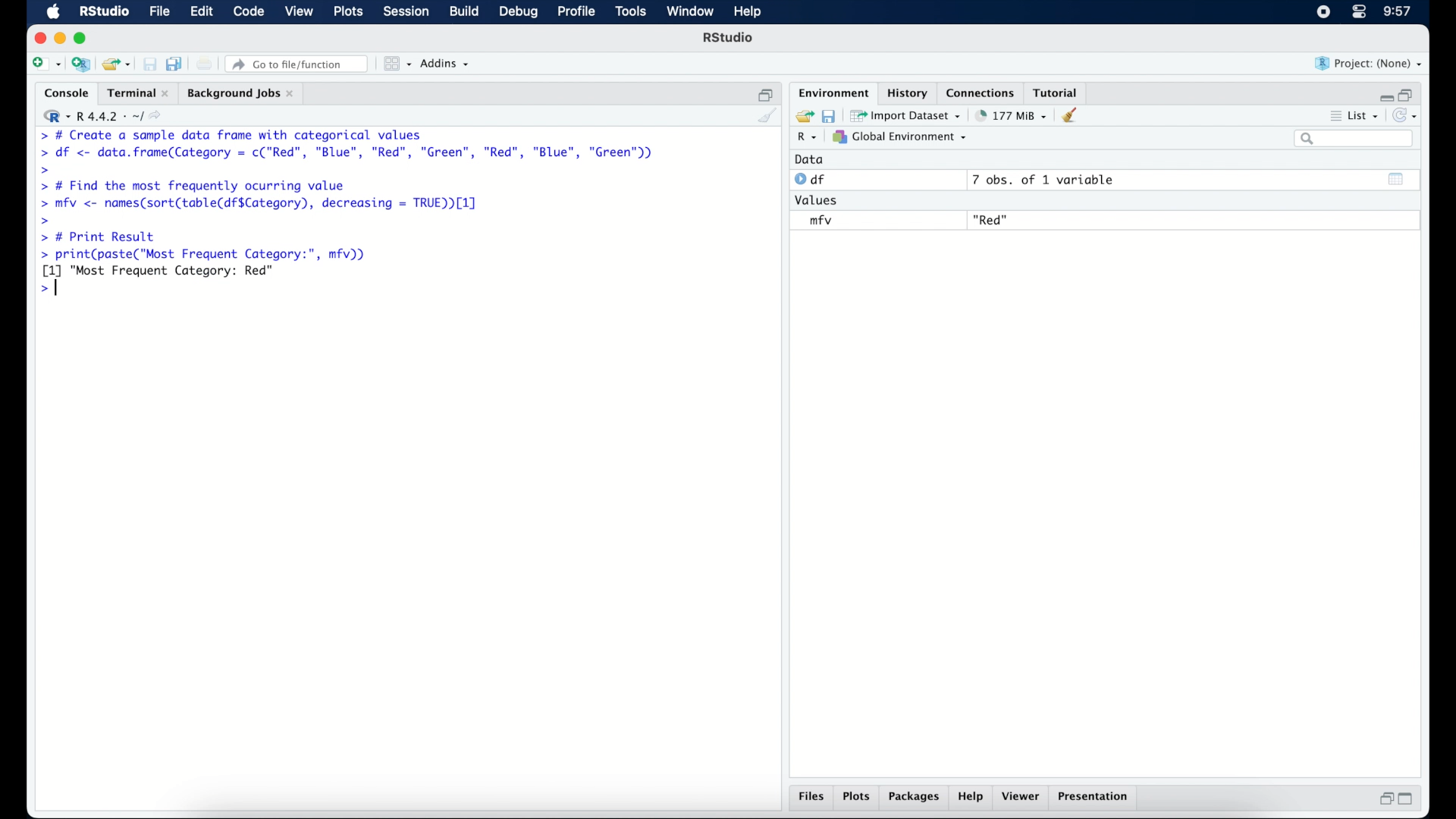 The height and width of the screenshot is (819, 1456). Describe the element at coordinates (147, 61) in the screenshot. I see `save` at that location.